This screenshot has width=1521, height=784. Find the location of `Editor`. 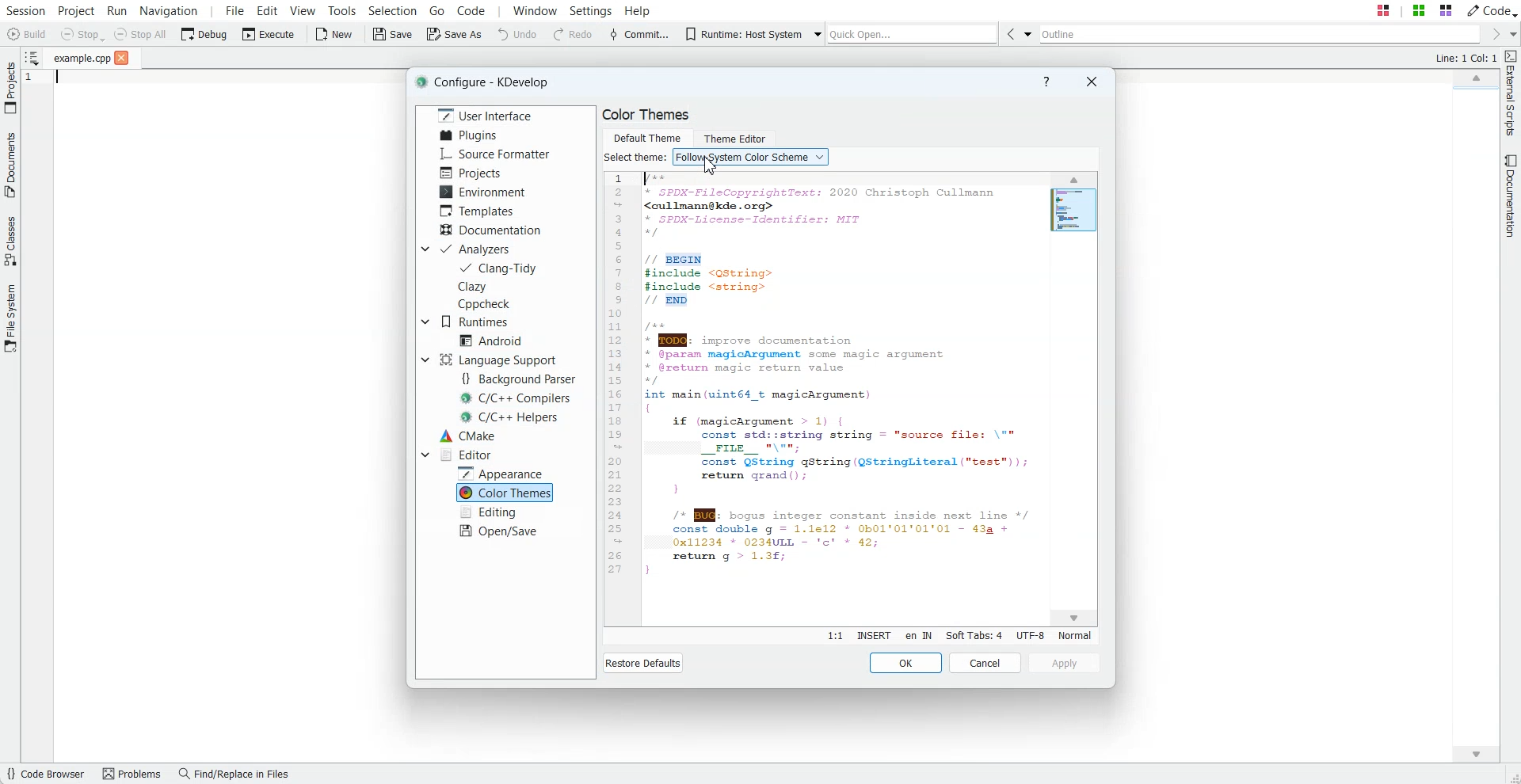

Editor is located at coordinates (467, 455).